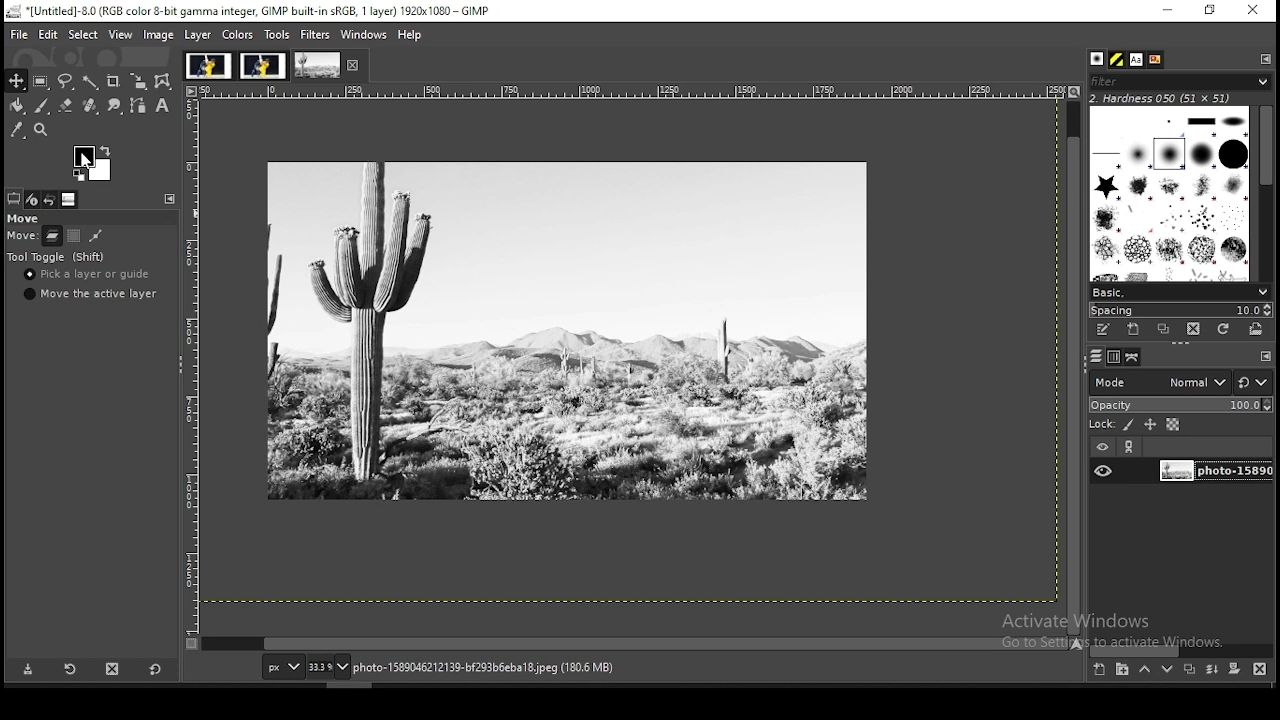 This screenshot has width=1280, height=720. What do you see at coordinates (1223, 329) in the screenshot?
I see `refresh brush` at bounding box center [1223, 329].